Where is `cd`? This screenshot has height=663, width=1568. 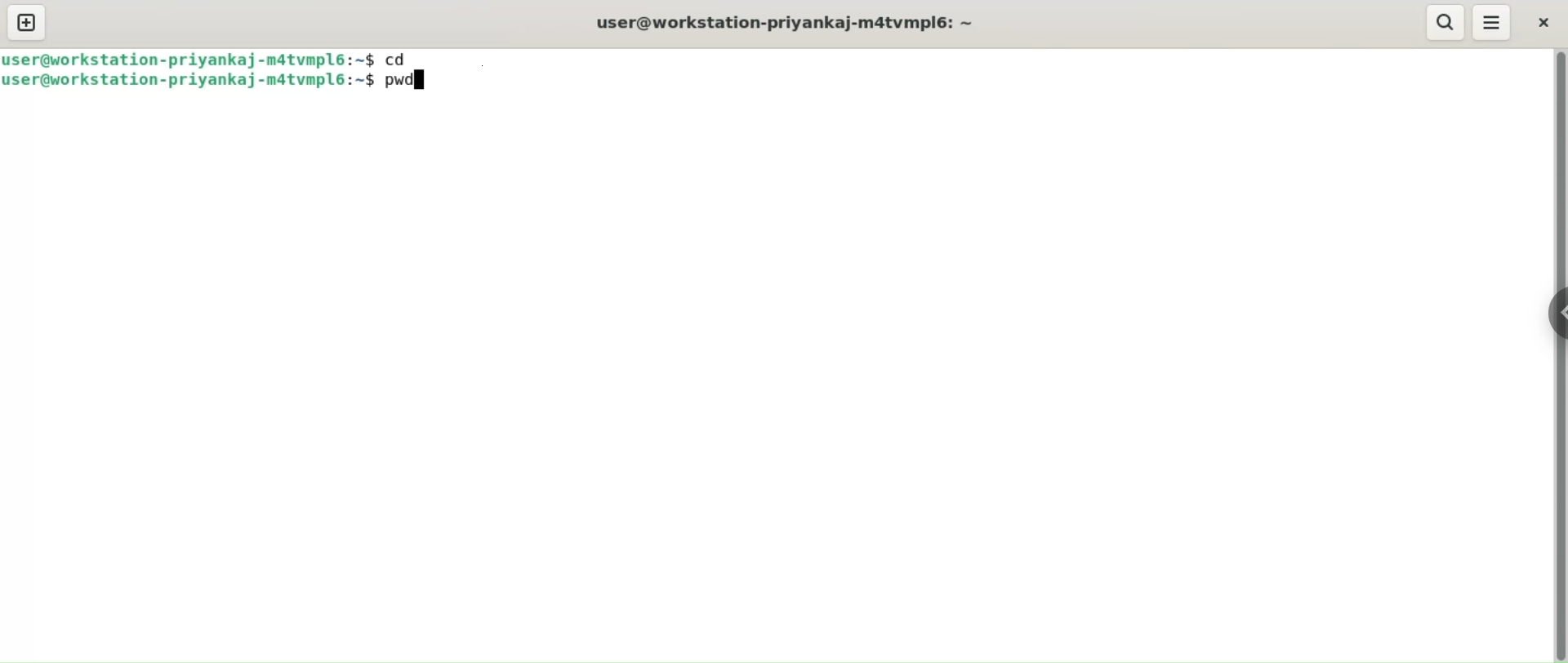
cd is located at coordinates (403, 57).